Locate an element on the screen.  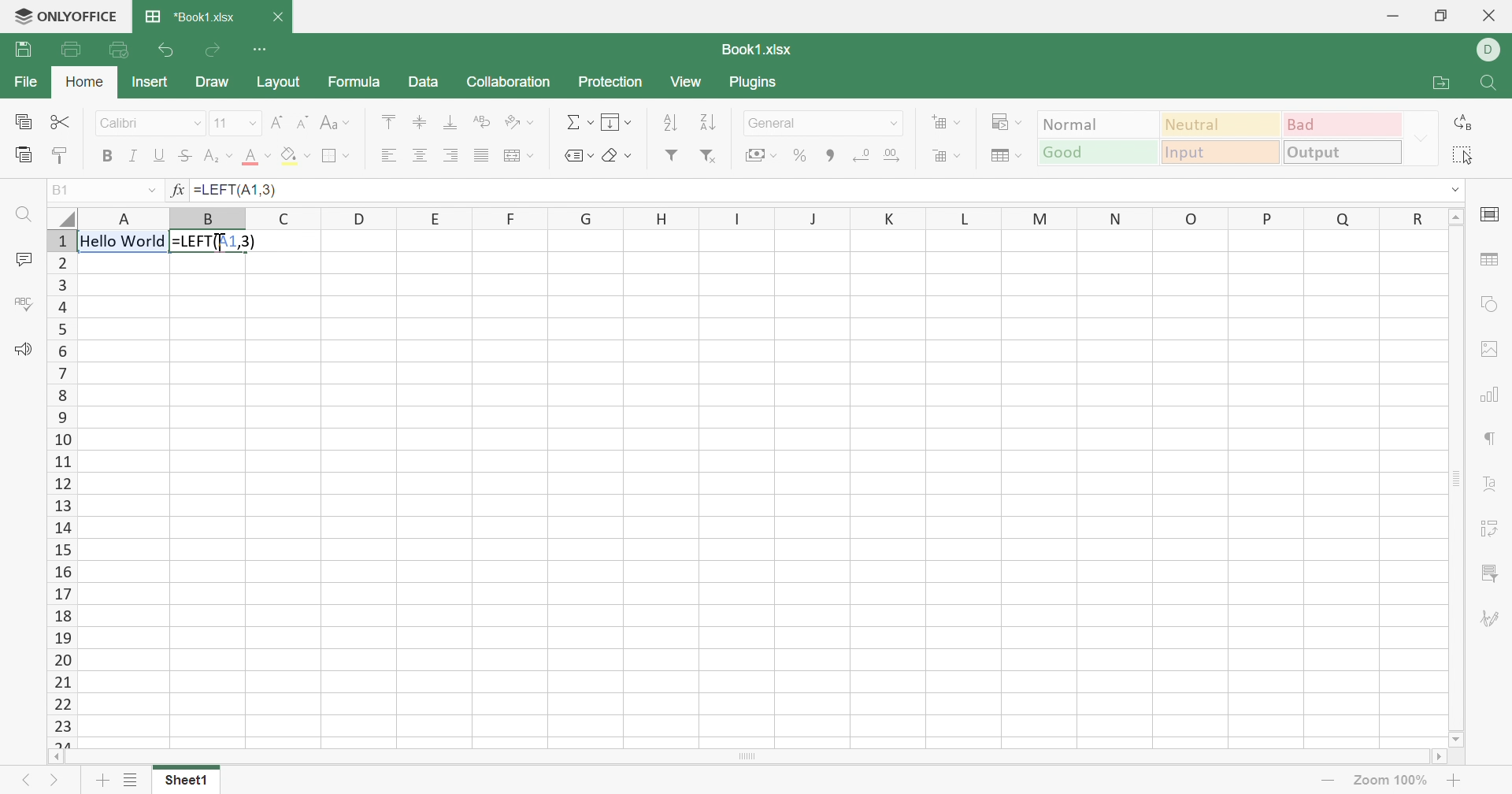
Restore down is located at coordinates (1440, 17).